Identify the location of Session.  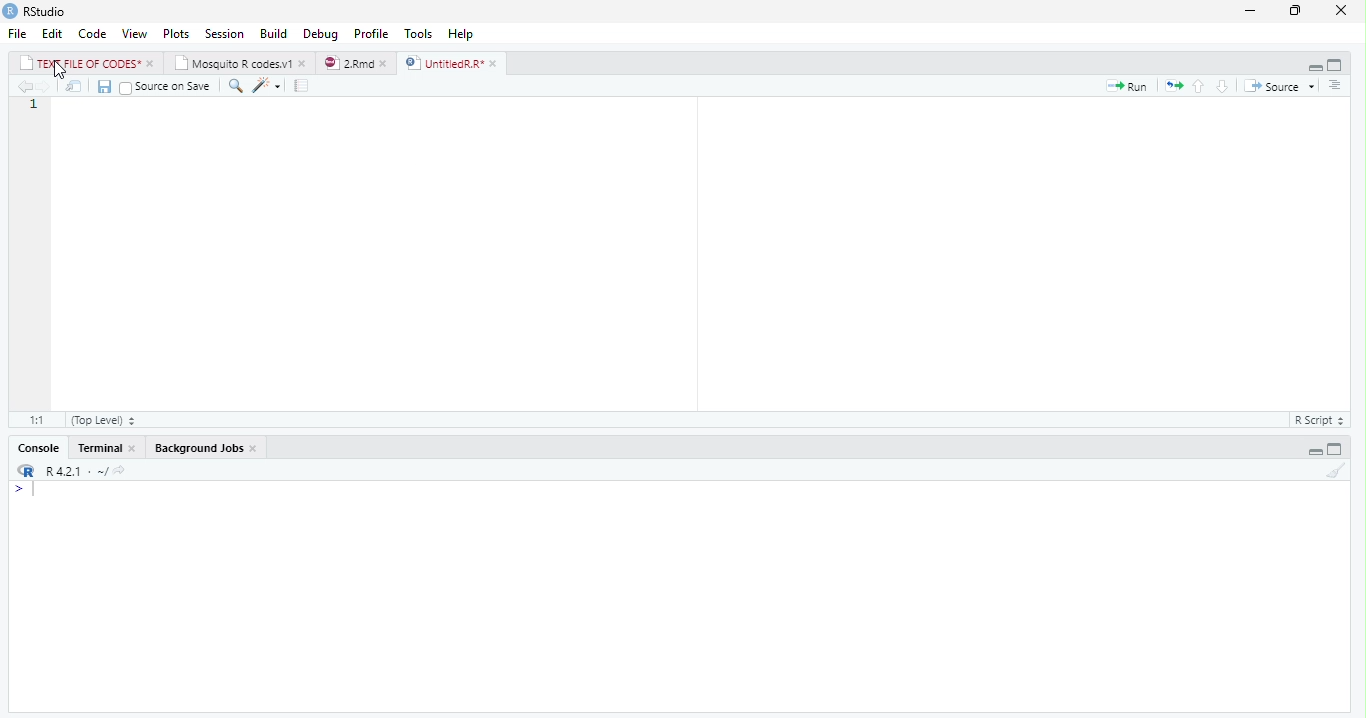
(226, 33).